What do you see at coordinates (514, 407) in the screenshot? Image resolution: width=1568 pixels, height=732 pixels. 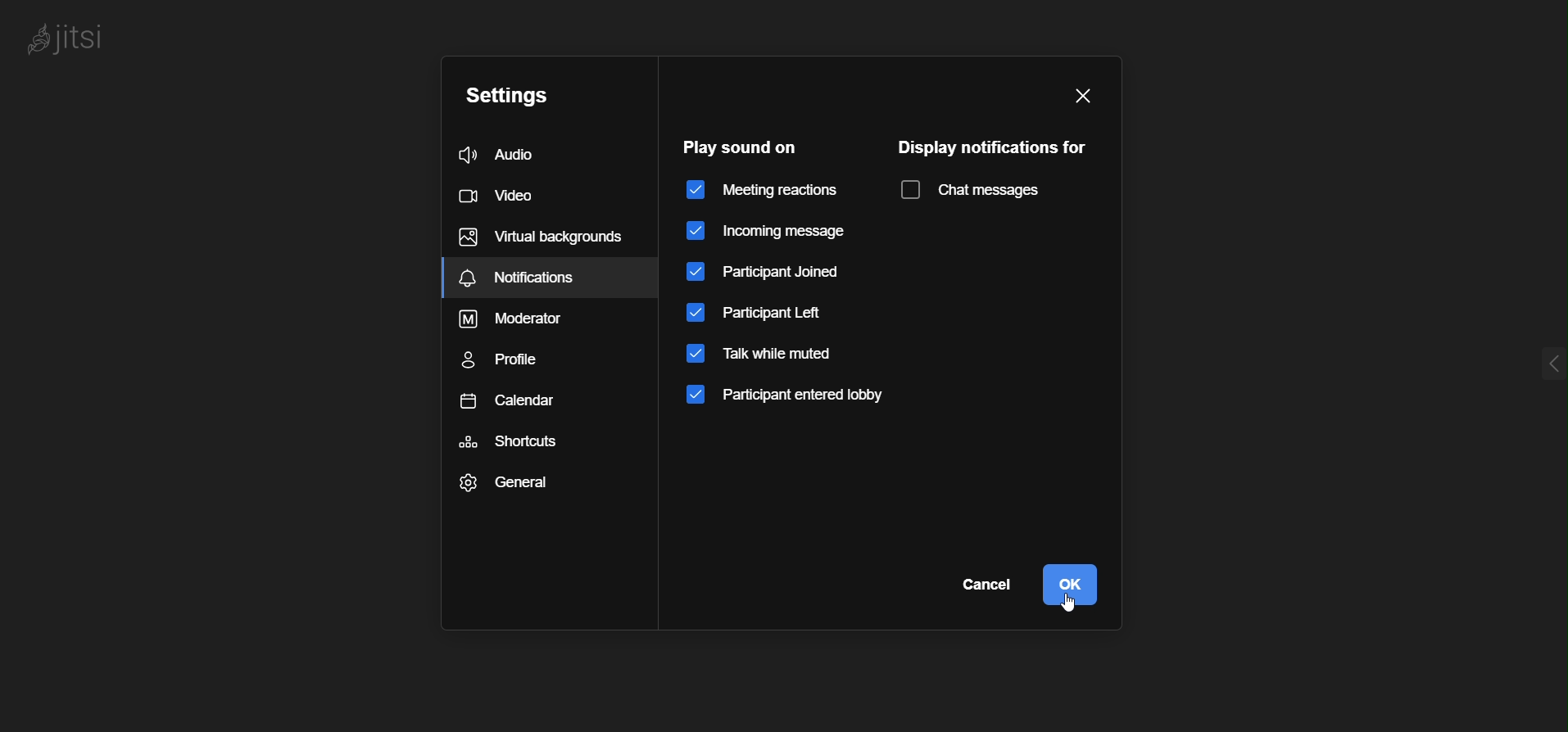 I see `calendar` at bounding box center [514, 407].